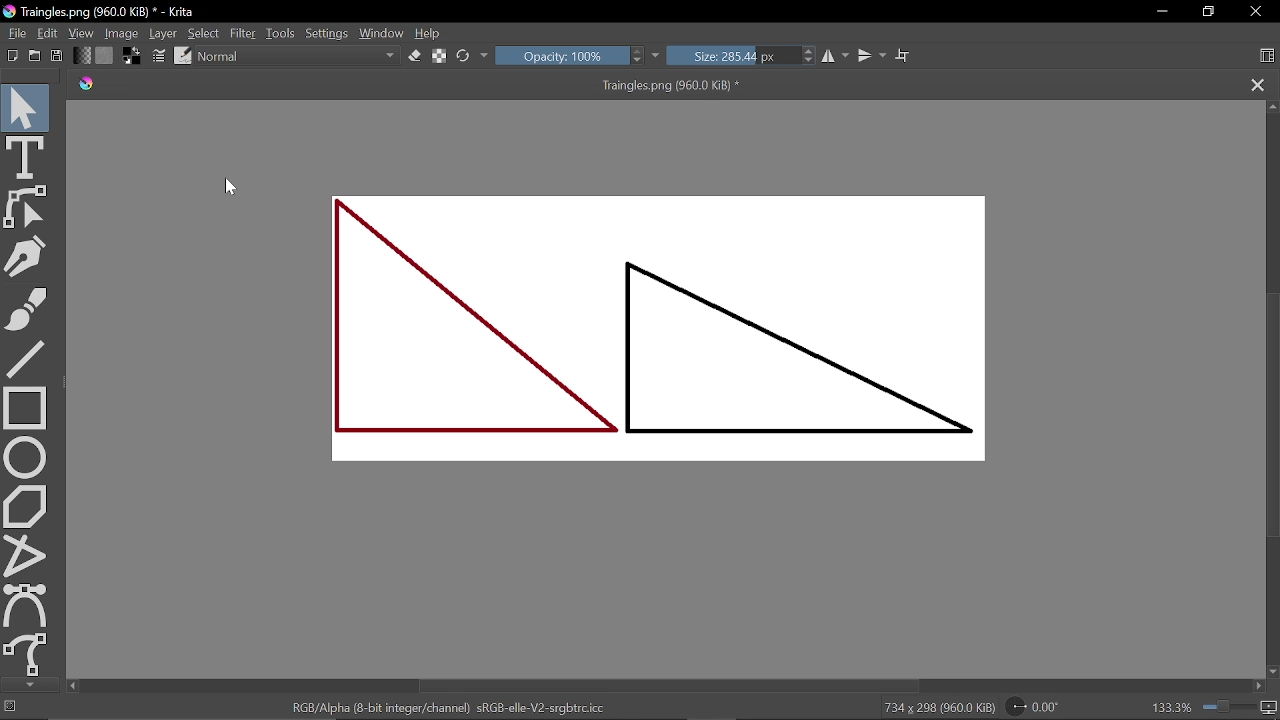 The height and width of the screenshot is (720, 1280). What do you see at coordinates (281, 33) in the screenshot?
I see `Tools` at bounding box center [281, 33].